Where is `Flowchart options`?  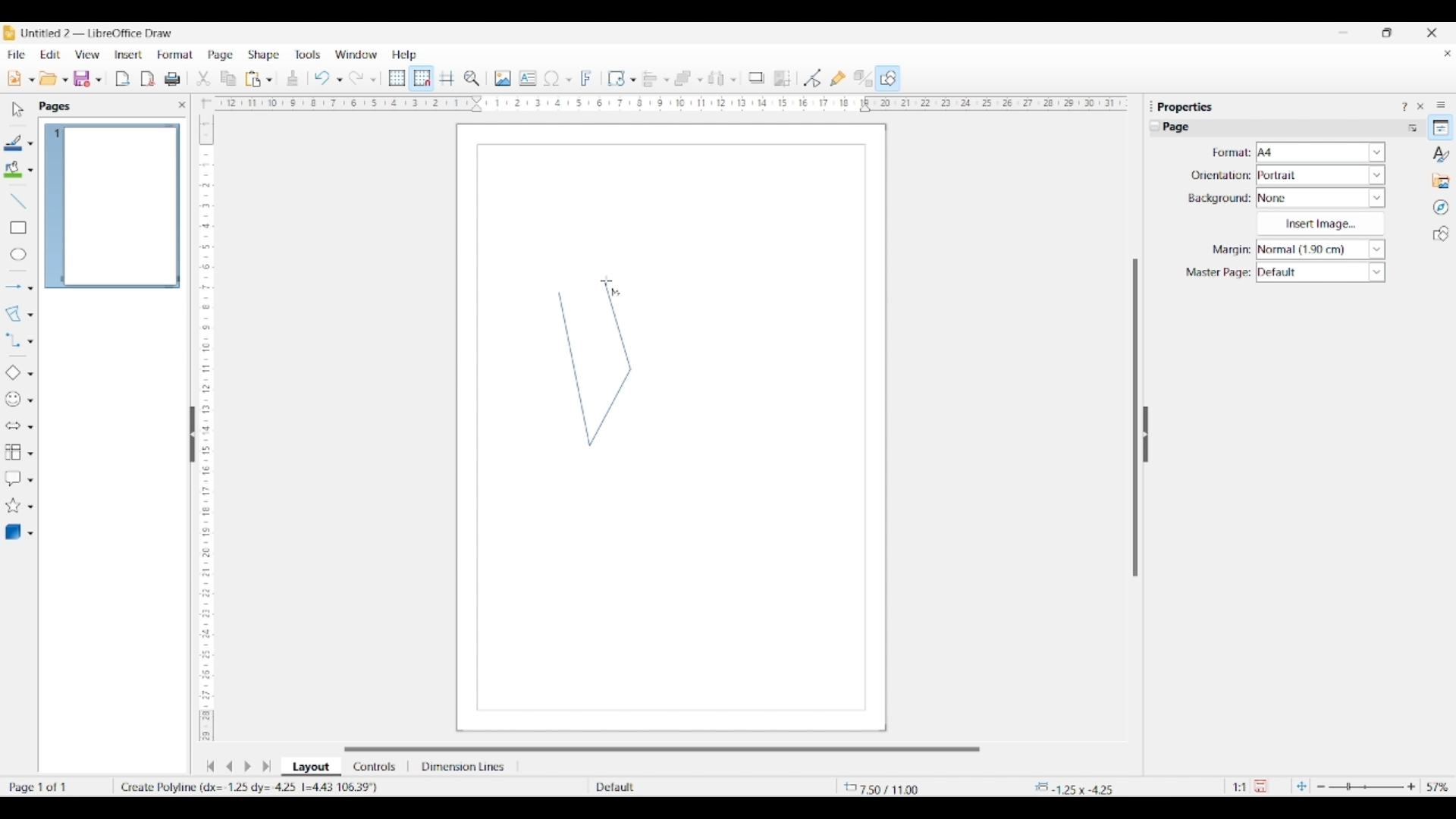
Flowchart options is located at coordinates (30, 453).